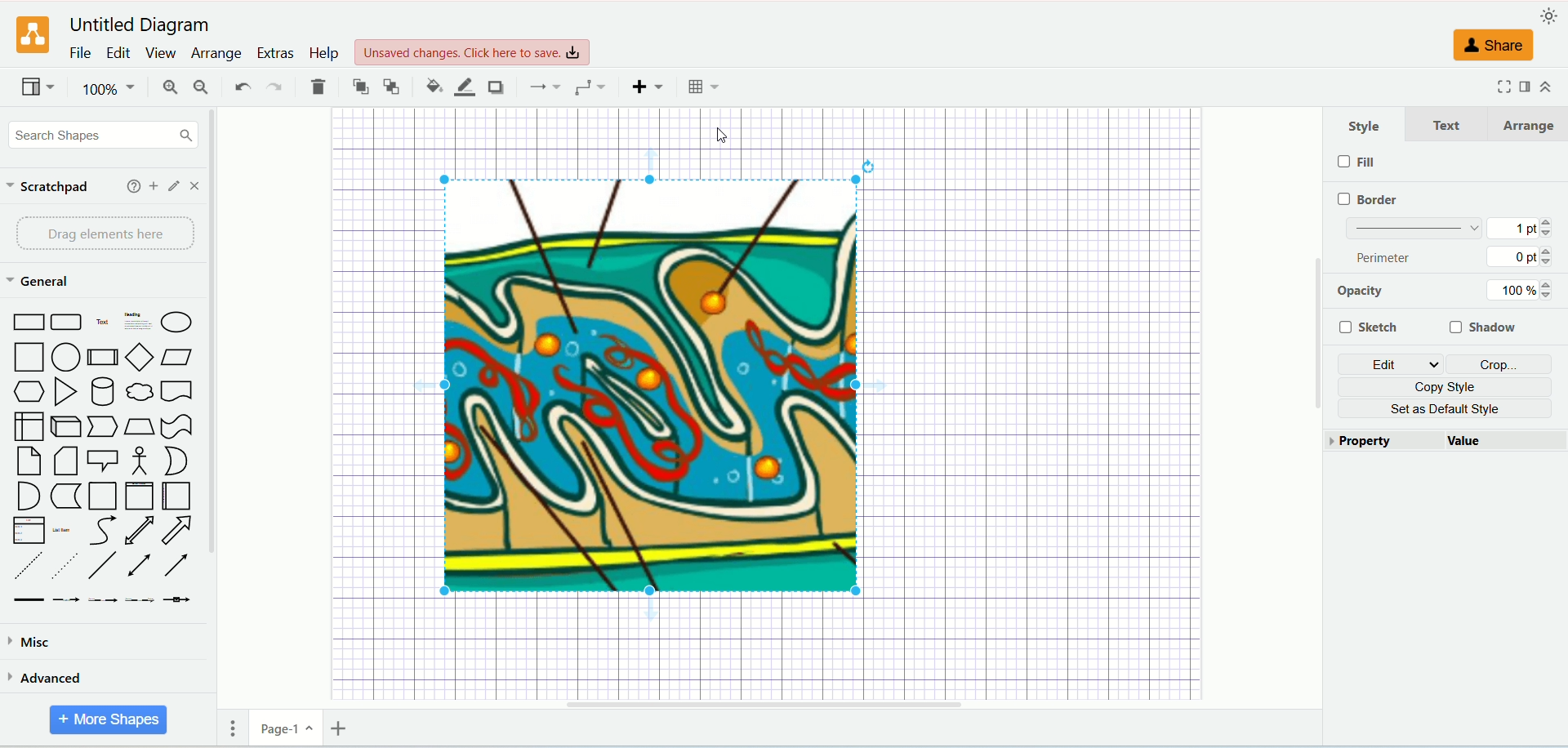 The height and width of the screenshot is (748, 1568). What do you see at coordinates (432, 85) in the screenshot?
I see `fill color` at bounding box center [432, 85].